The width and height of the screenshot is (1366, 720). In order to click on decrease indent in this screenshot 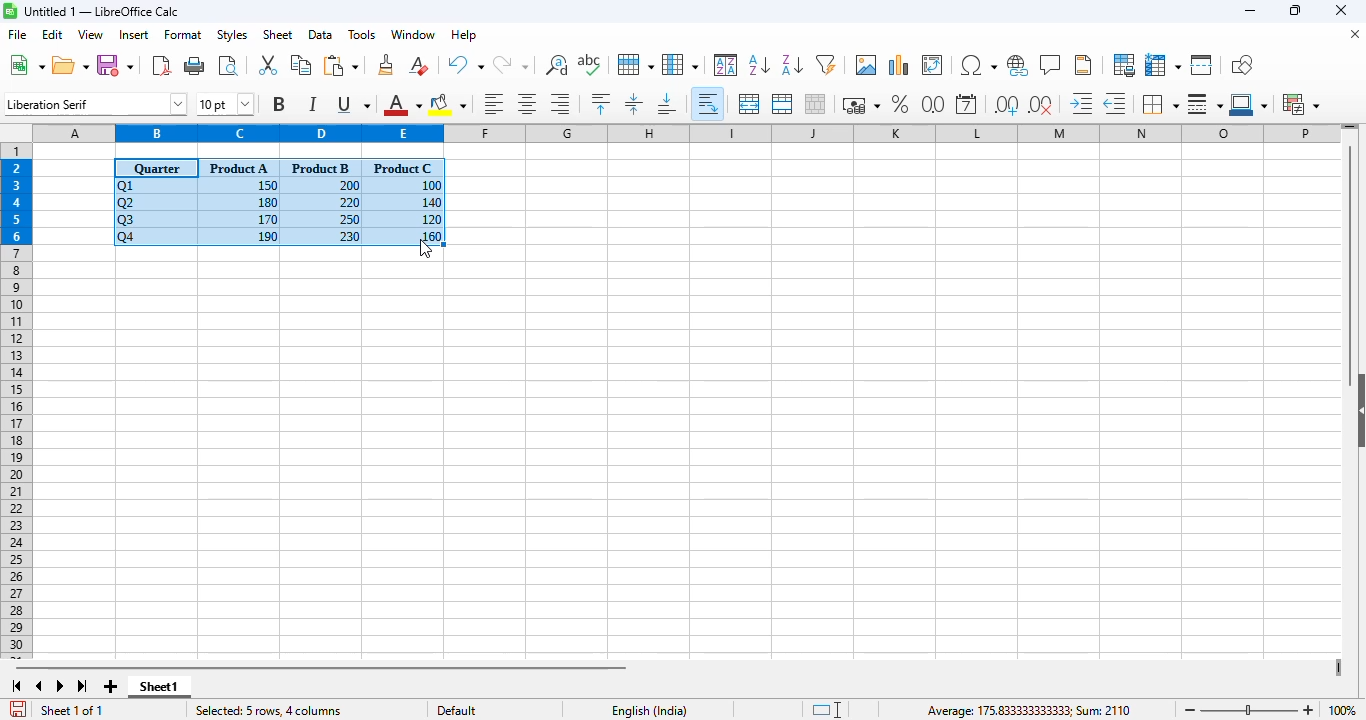, I will do `click(1117, 103)`.